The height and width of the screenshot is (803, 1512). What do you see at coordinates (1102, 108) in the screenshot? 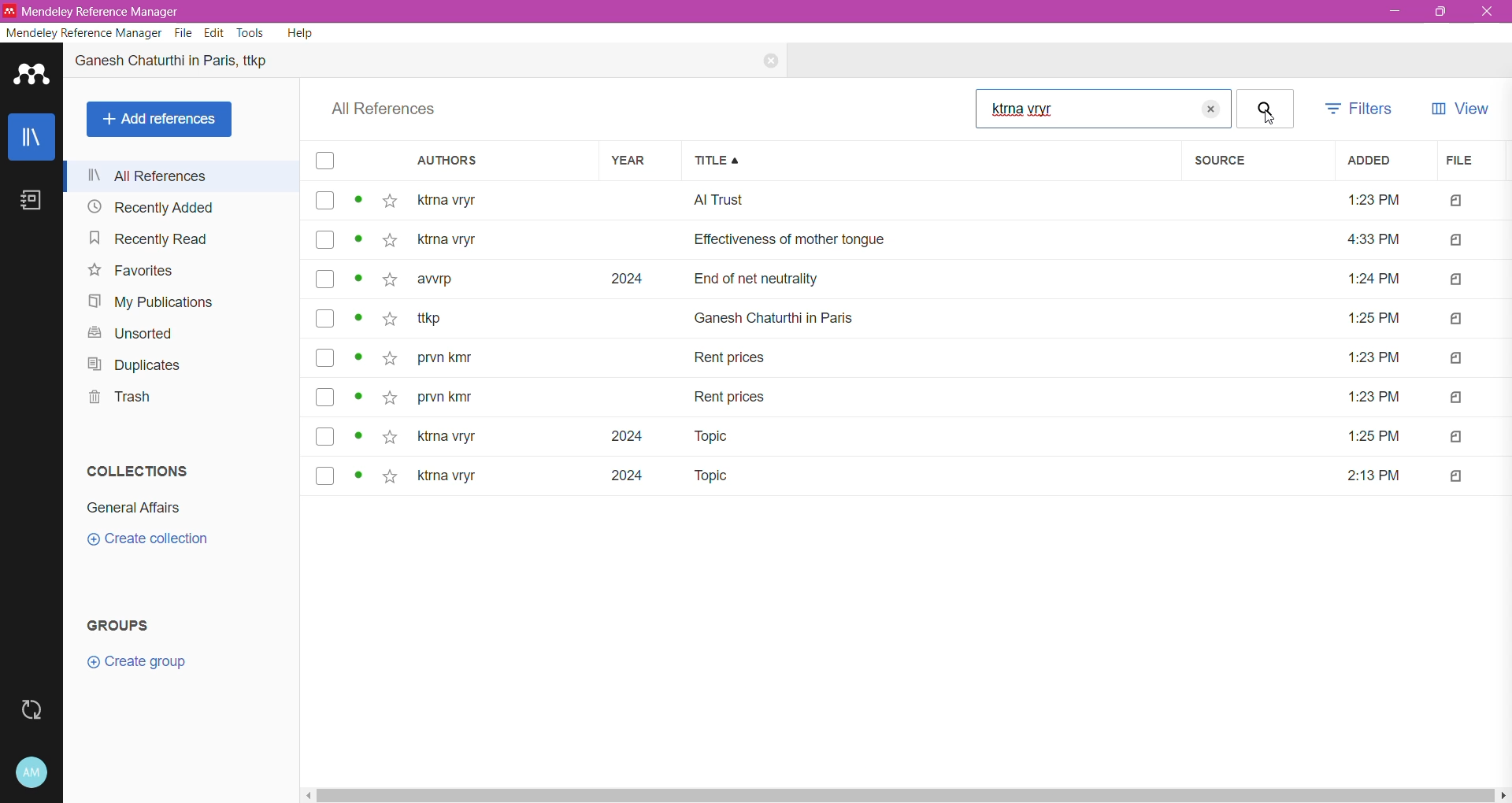
I see `Type the required author's name in the Search bar` at bounding box center [1102, 108].